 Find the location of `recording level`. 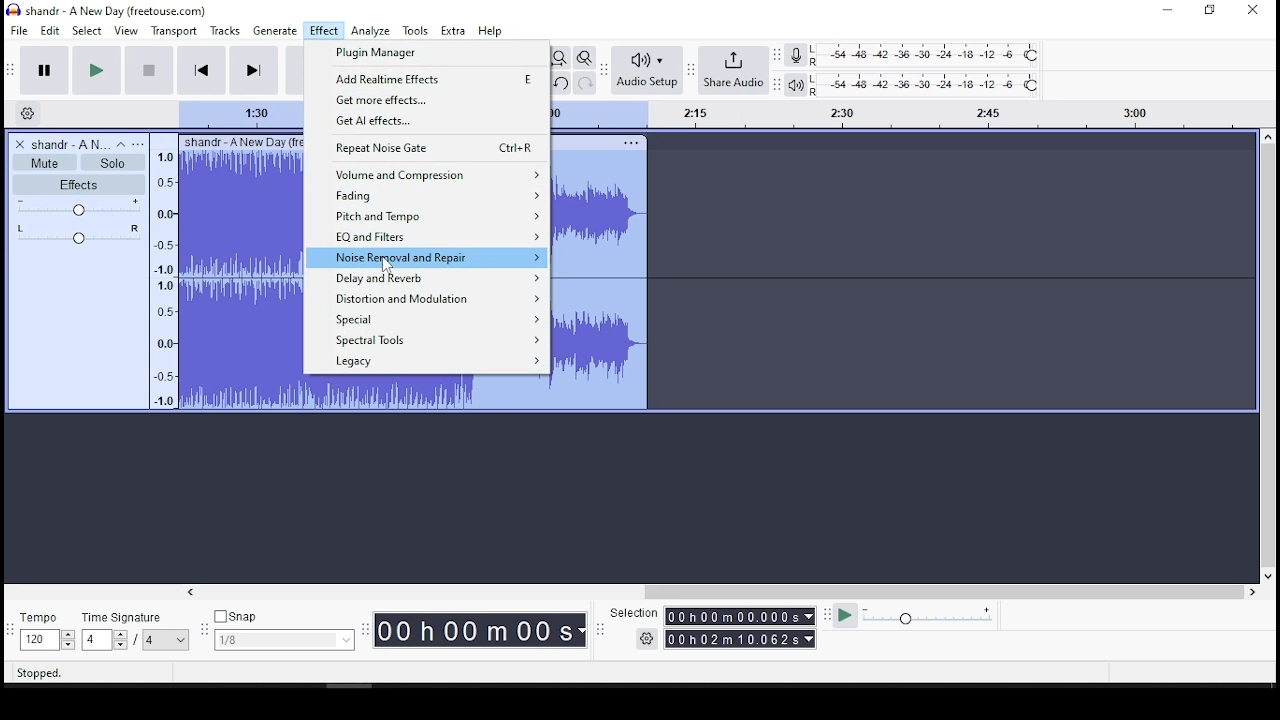

recording level is located at coordinates (926, 55).